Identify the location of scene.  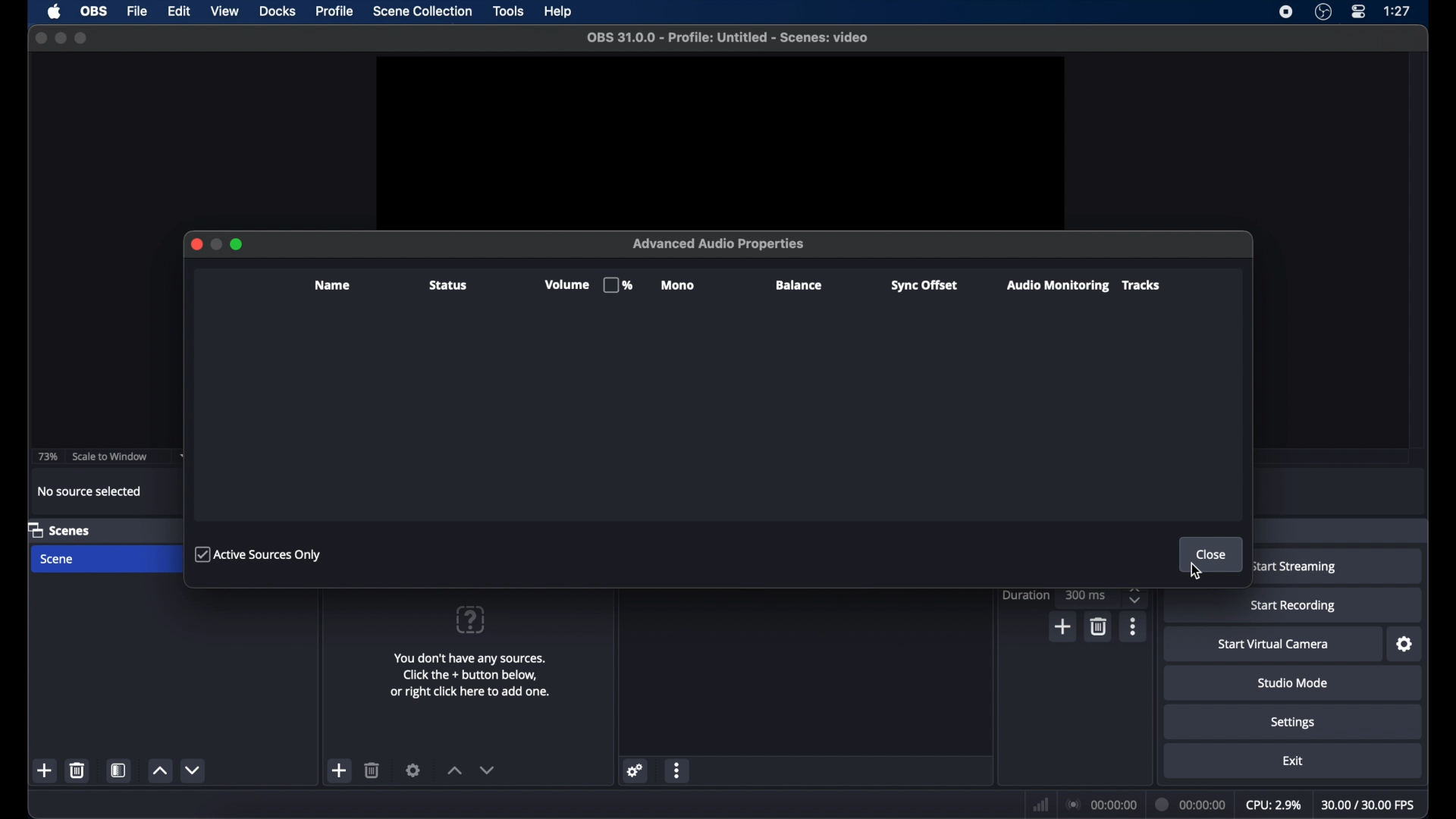
(58, 560).